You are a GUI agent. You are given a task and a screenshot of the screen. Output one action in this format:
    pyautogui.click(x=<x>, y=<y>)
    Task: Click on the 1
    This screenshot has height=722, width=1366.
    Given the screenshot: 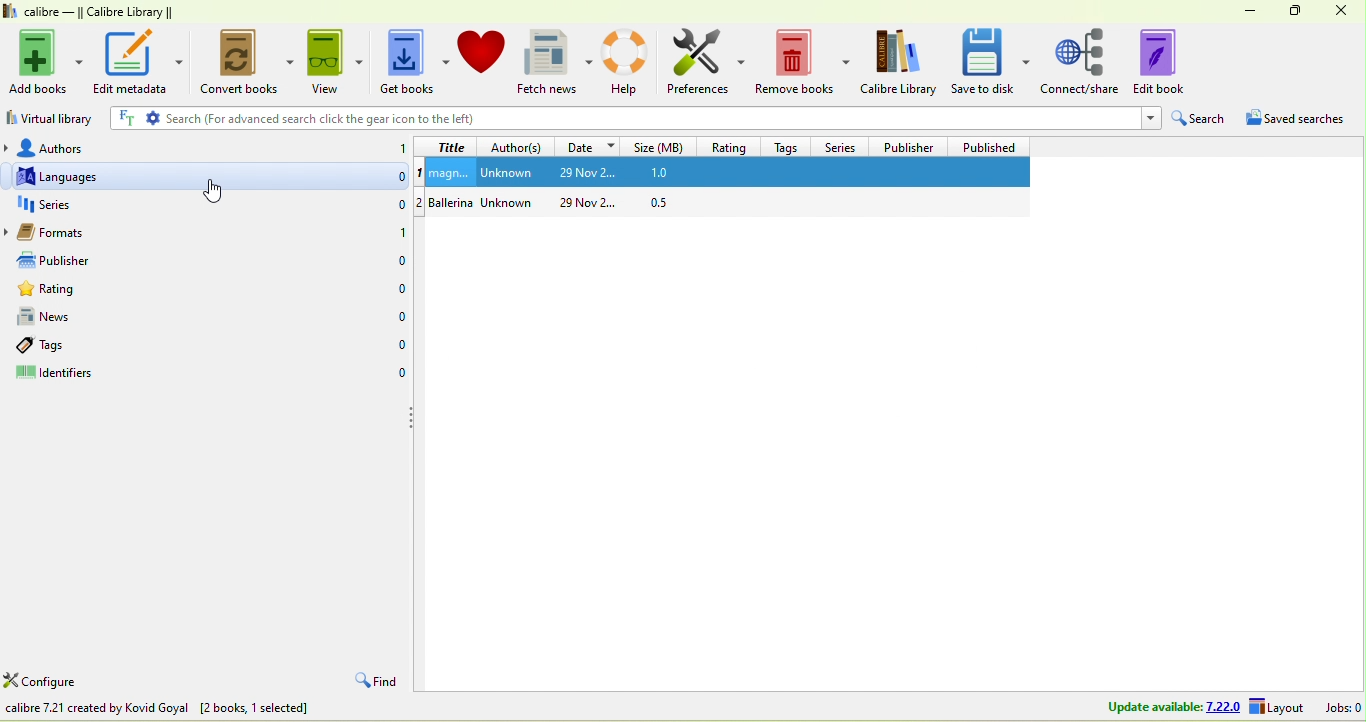 What is the action you would take?
    pyautogui.click(x=419, y=172)
    